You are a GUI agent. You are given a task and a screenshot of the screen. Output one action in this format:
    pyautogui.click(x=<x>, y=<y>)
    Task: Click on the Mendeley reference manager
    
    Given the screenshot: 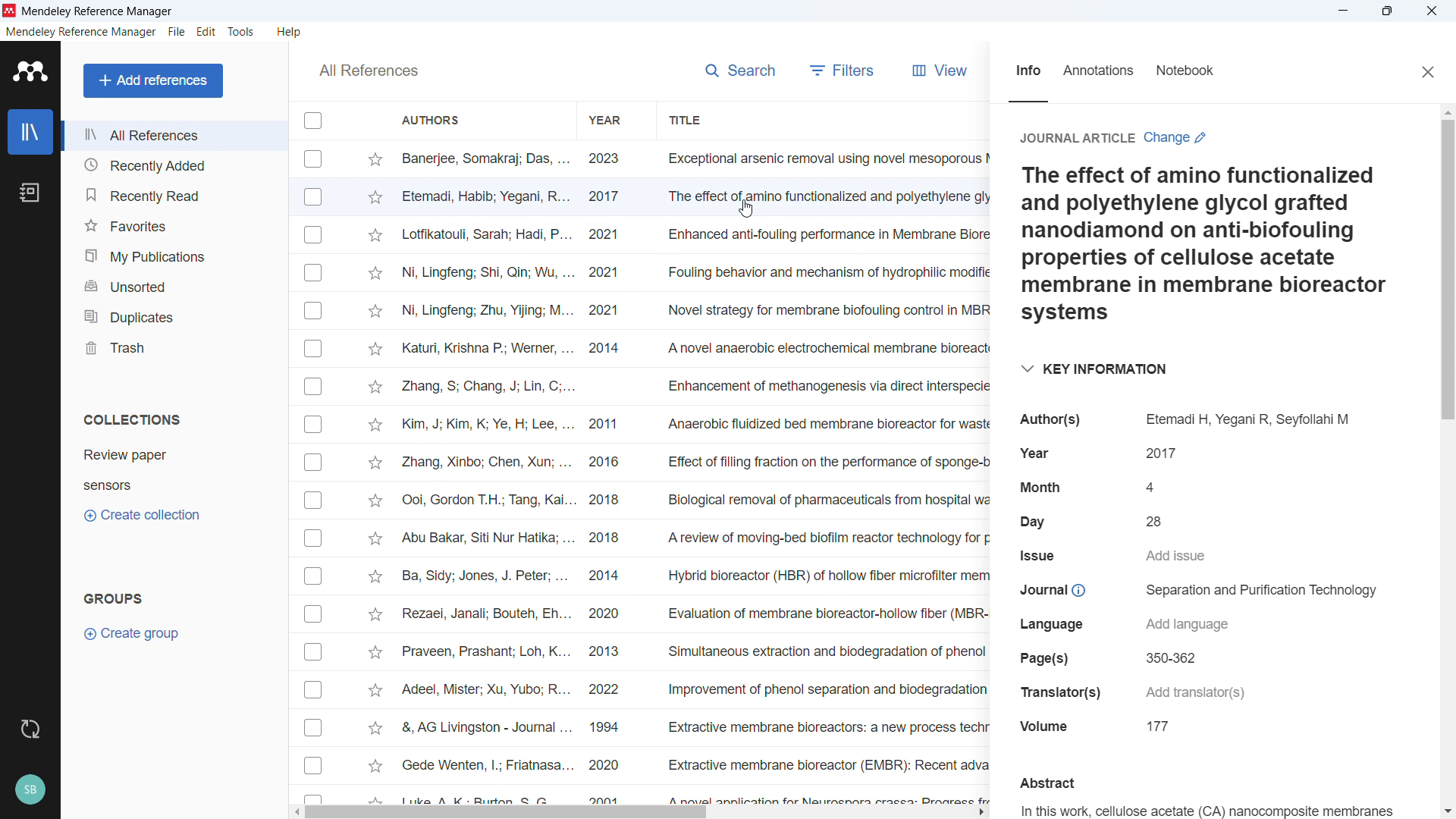 What is the action you would take?
    pyautogui.click(x=80, y=32)
    